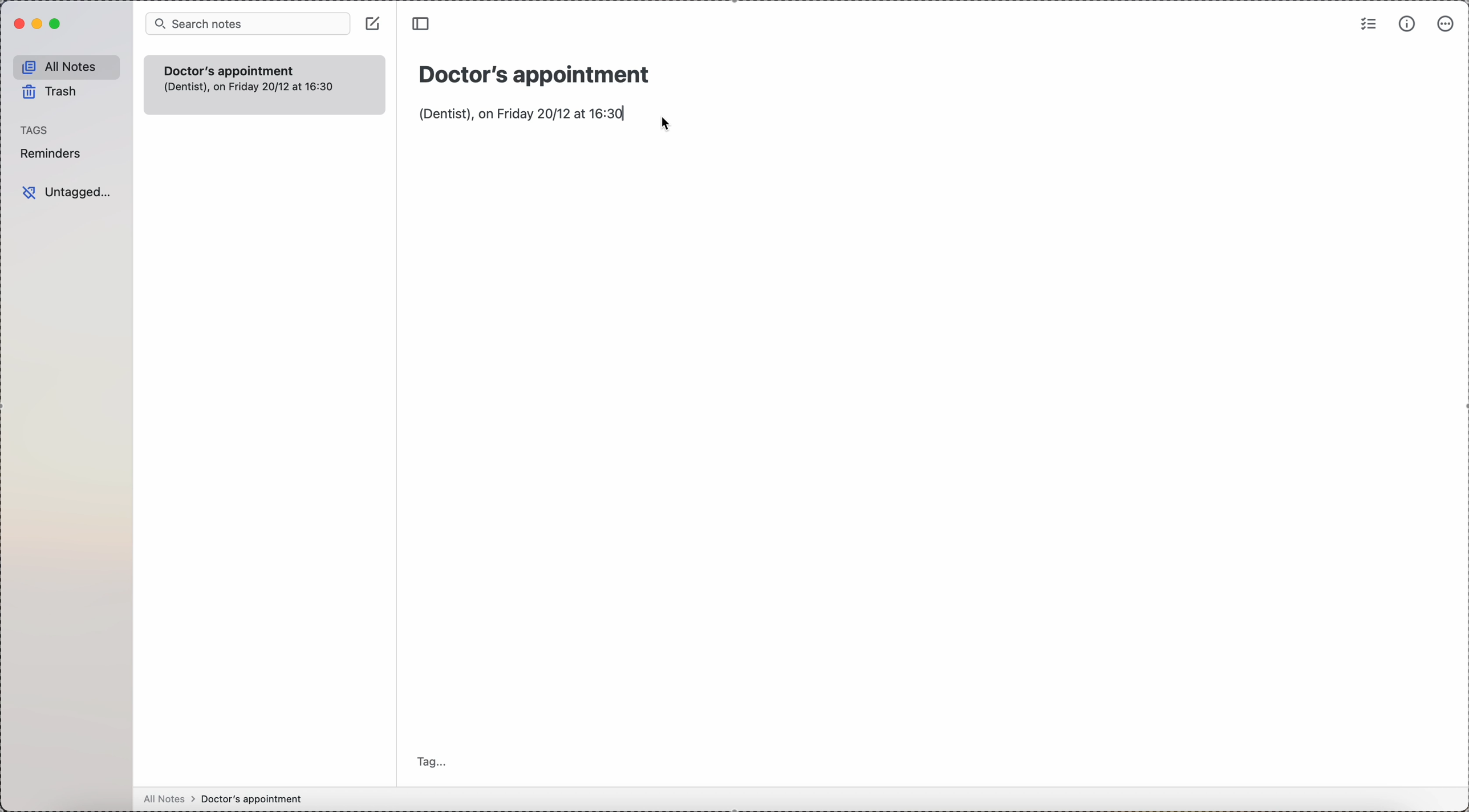  Describe the element at coordinates (39, 23) in the screenshot. I see `minimize Simplenote` at that location.